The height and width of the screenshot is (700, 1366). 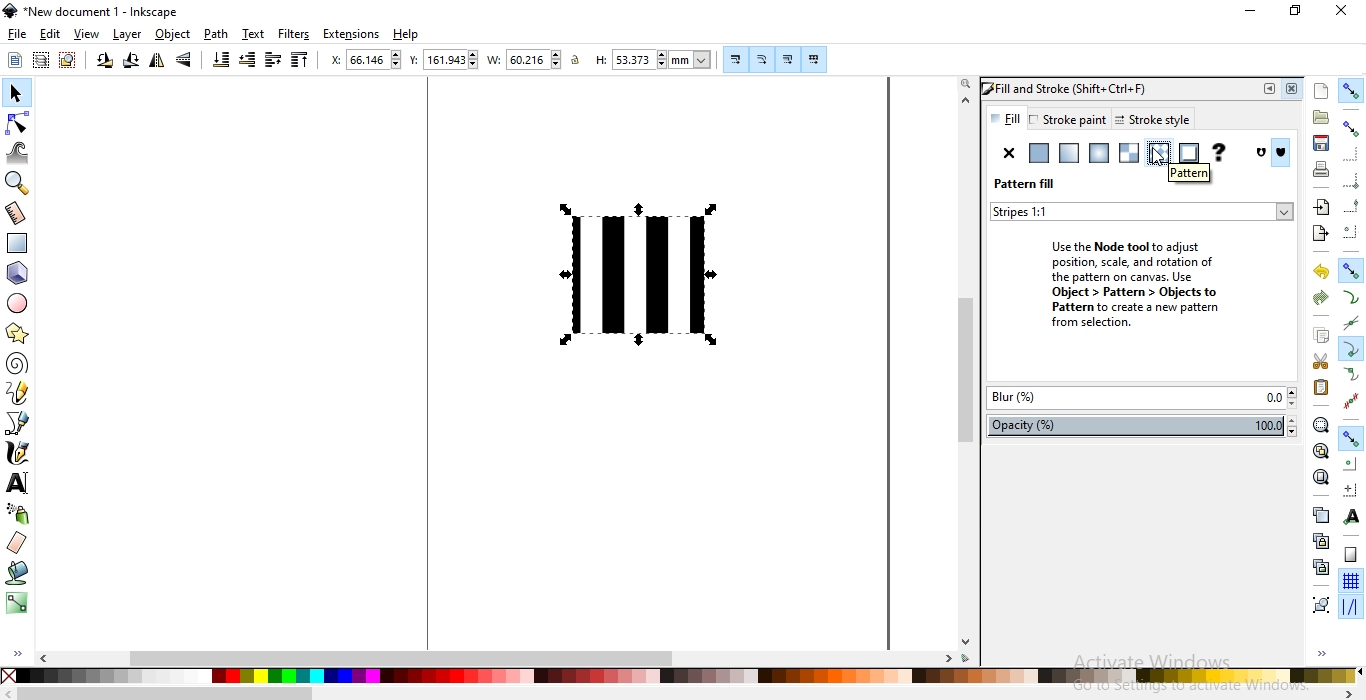 I want to click on 161.943, so click(x=452, y=60).